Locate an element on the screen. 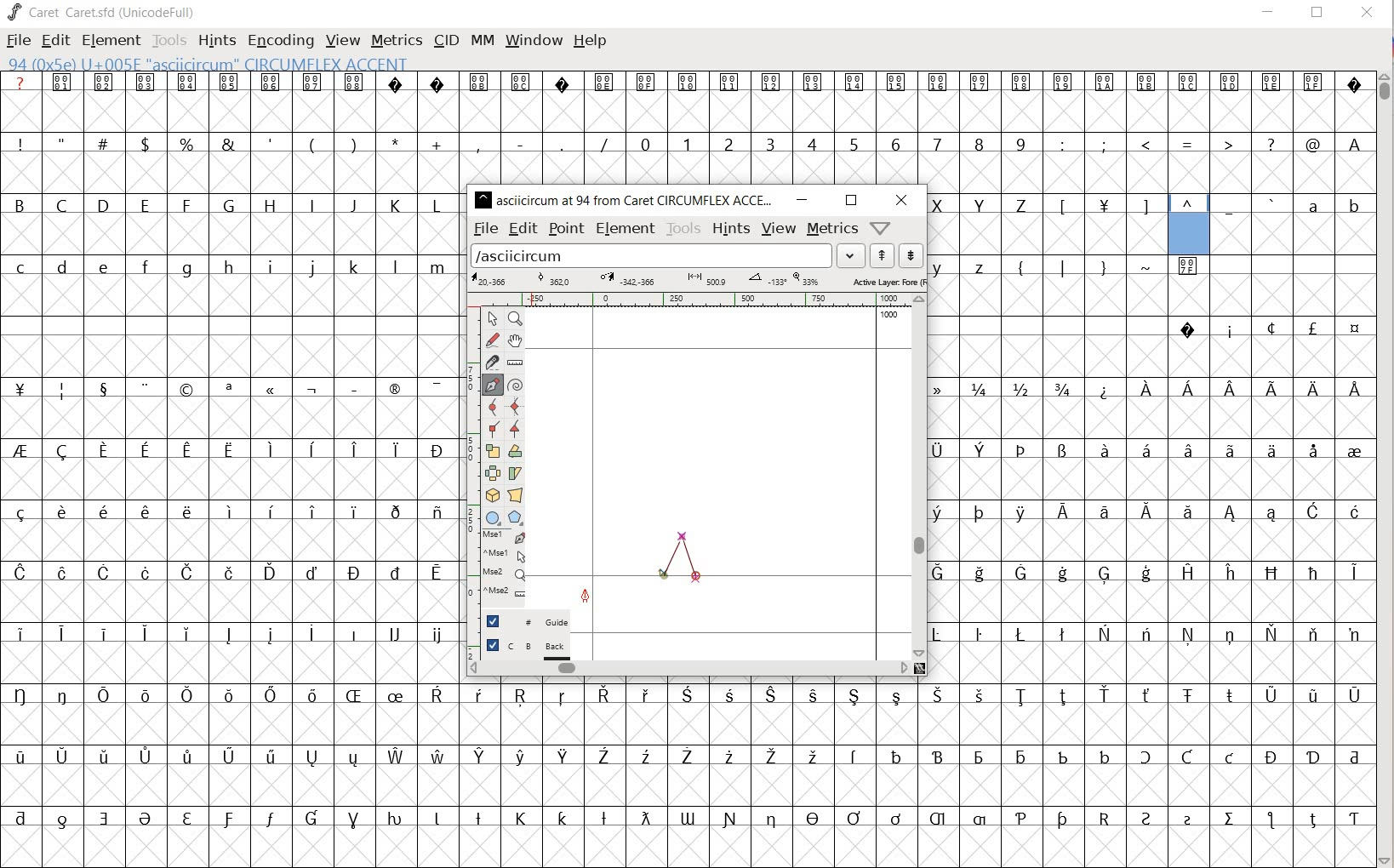 The image size is (1394, 868). CID is located at coordinates (445, 40).